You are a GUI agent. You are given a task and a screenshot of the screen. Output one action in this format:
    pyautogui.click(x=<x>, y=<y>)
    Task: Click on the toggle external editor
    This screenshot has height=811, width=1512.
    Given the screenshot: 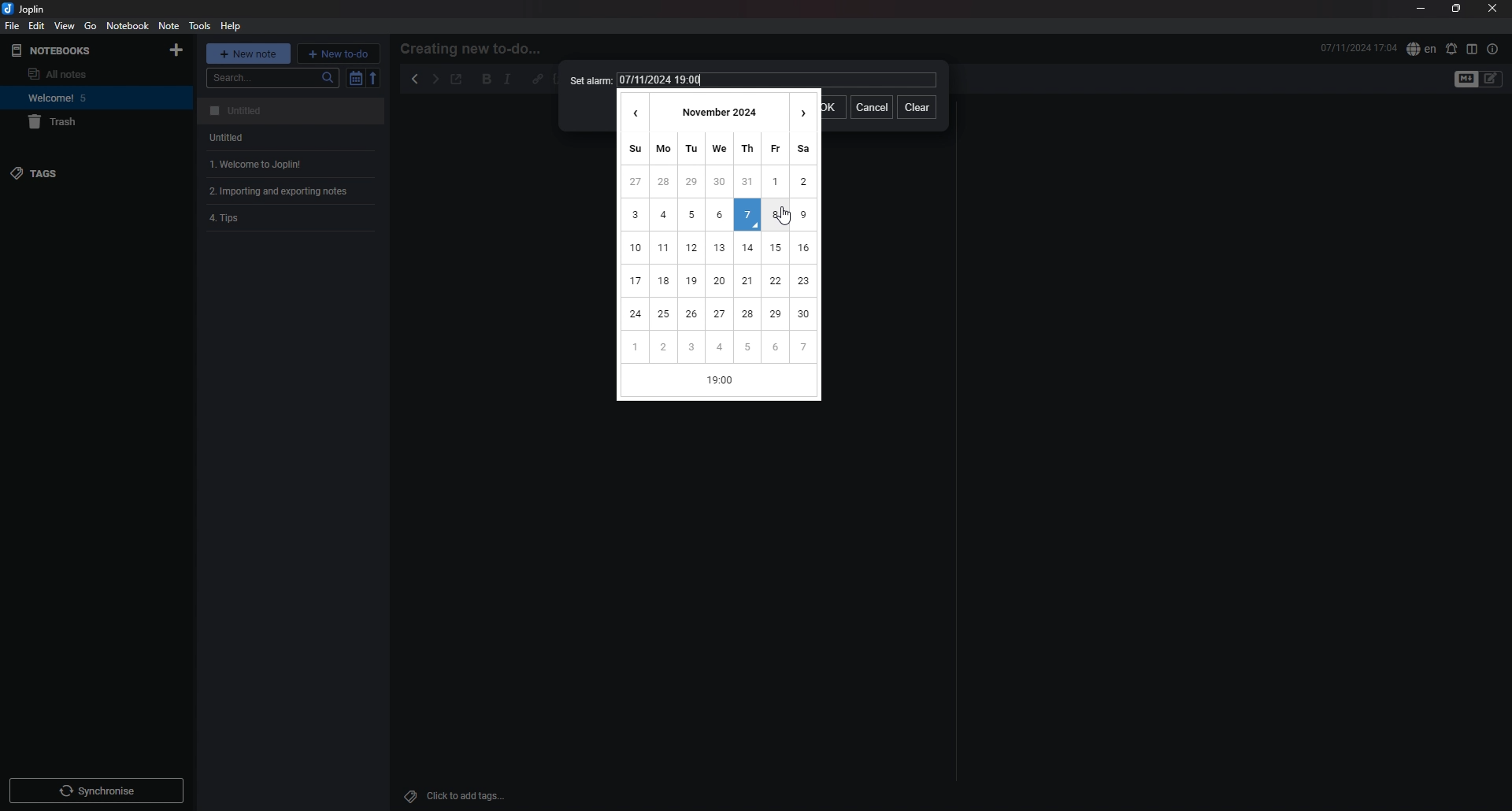 What is the action you would take?
    pyautogui.click(x=458, y=80)
    